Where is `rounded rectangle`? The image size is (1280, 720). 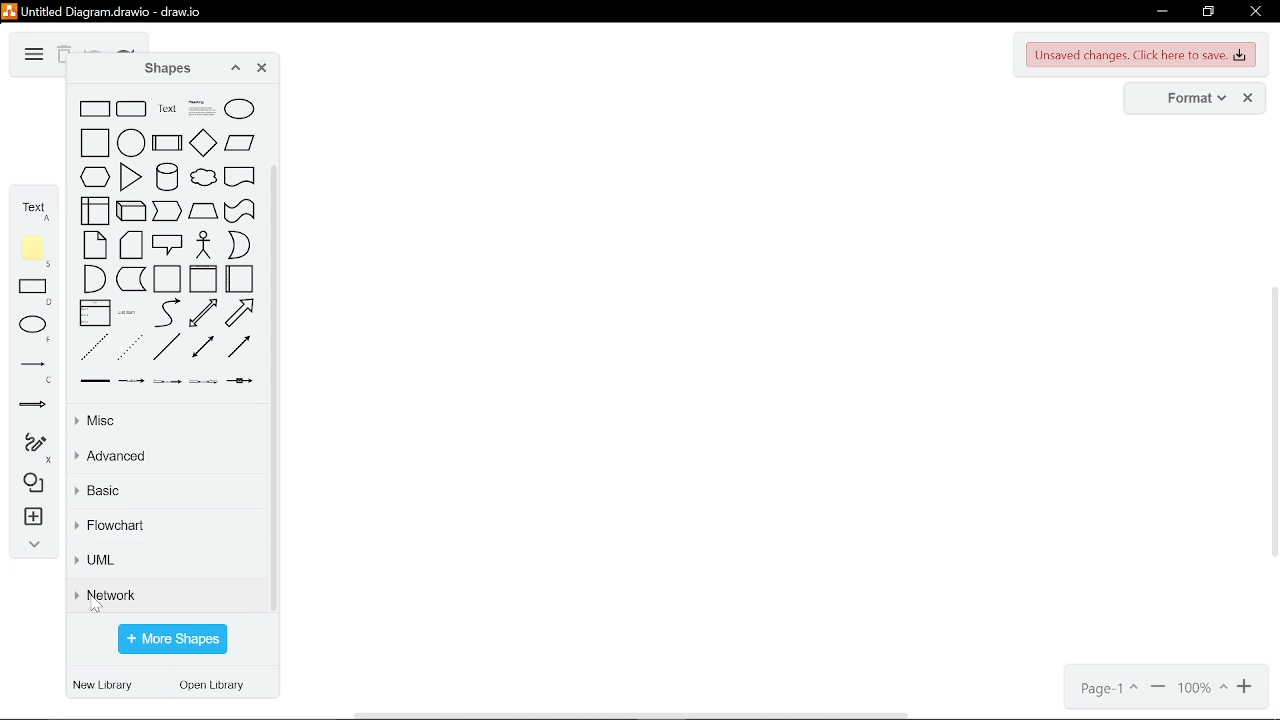 rounded rectangle is located at coordinates (132, 109).